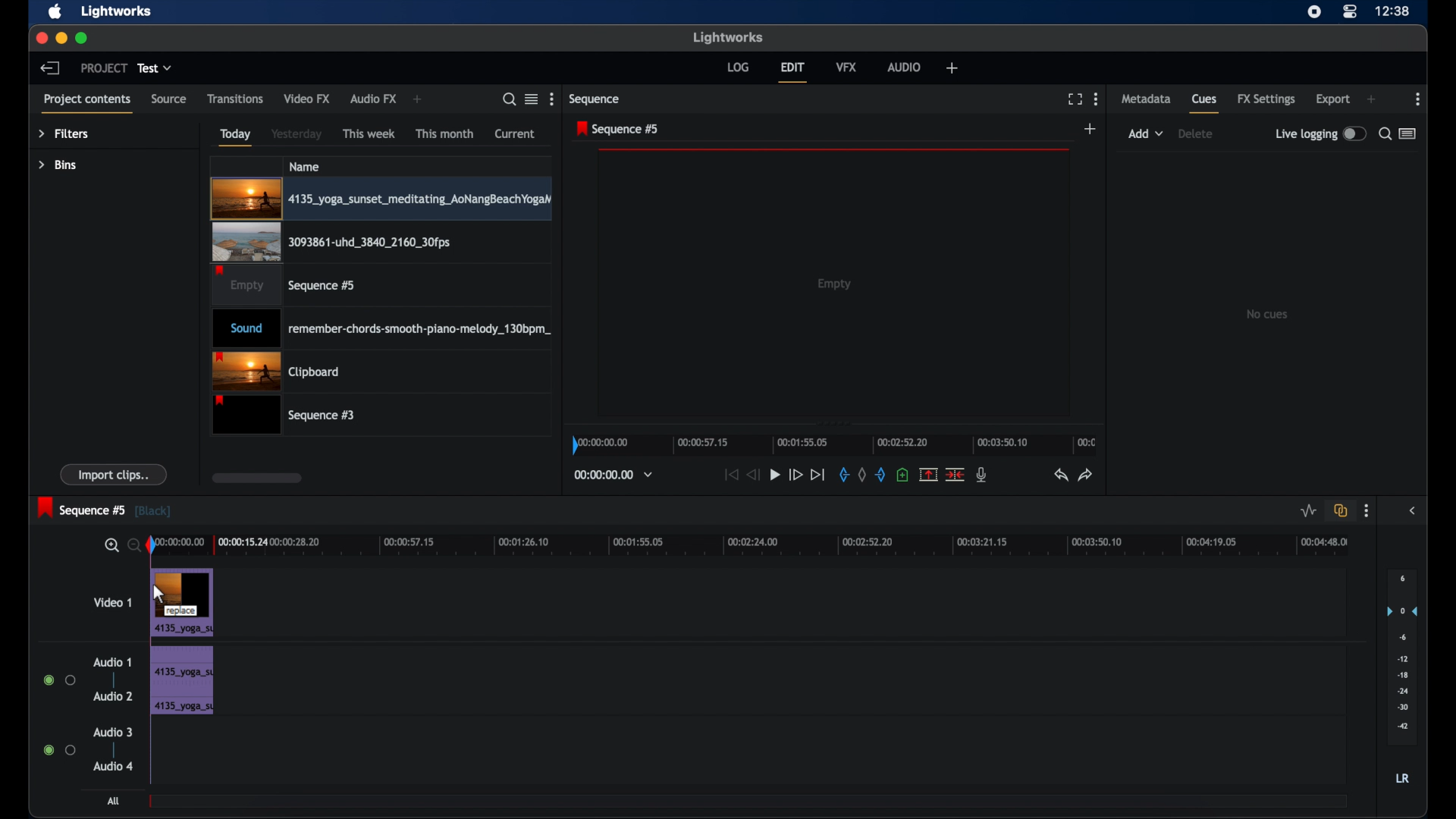 The width and height of the screenshot is (1456, 819). What do you see at coordinates (331, 243) in the screenshot?
I see `video clip` at bounding box center [331, 243].